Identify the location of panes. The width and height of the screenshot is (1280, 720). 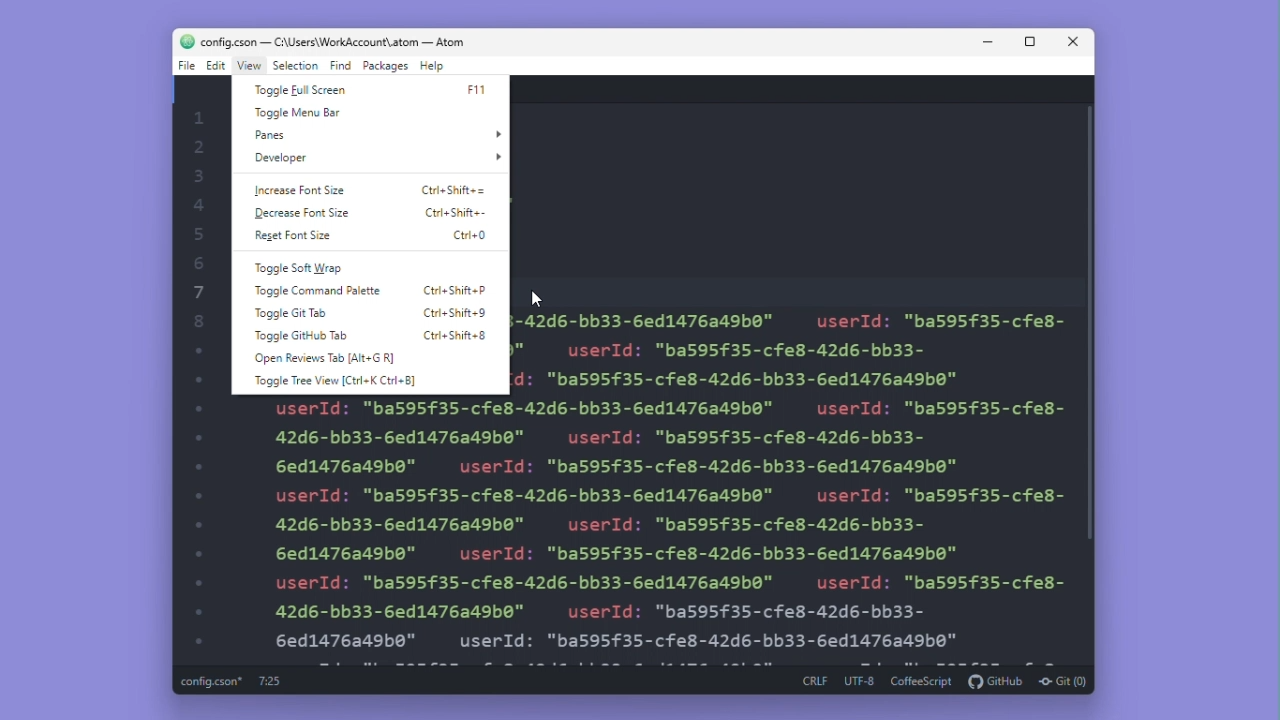
(374, 135).